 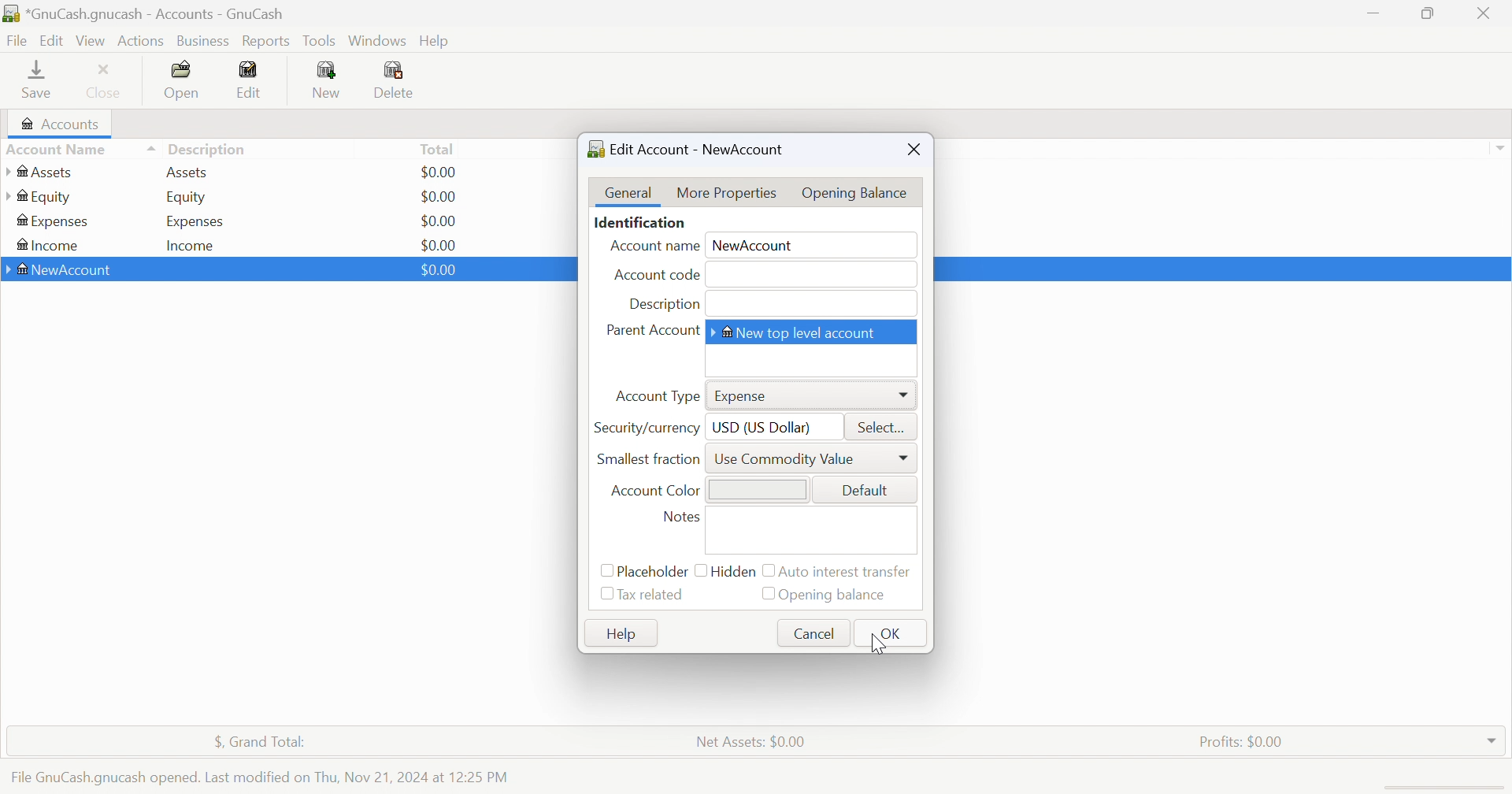 I want to click on Expenses, so click(x=195, y=222).